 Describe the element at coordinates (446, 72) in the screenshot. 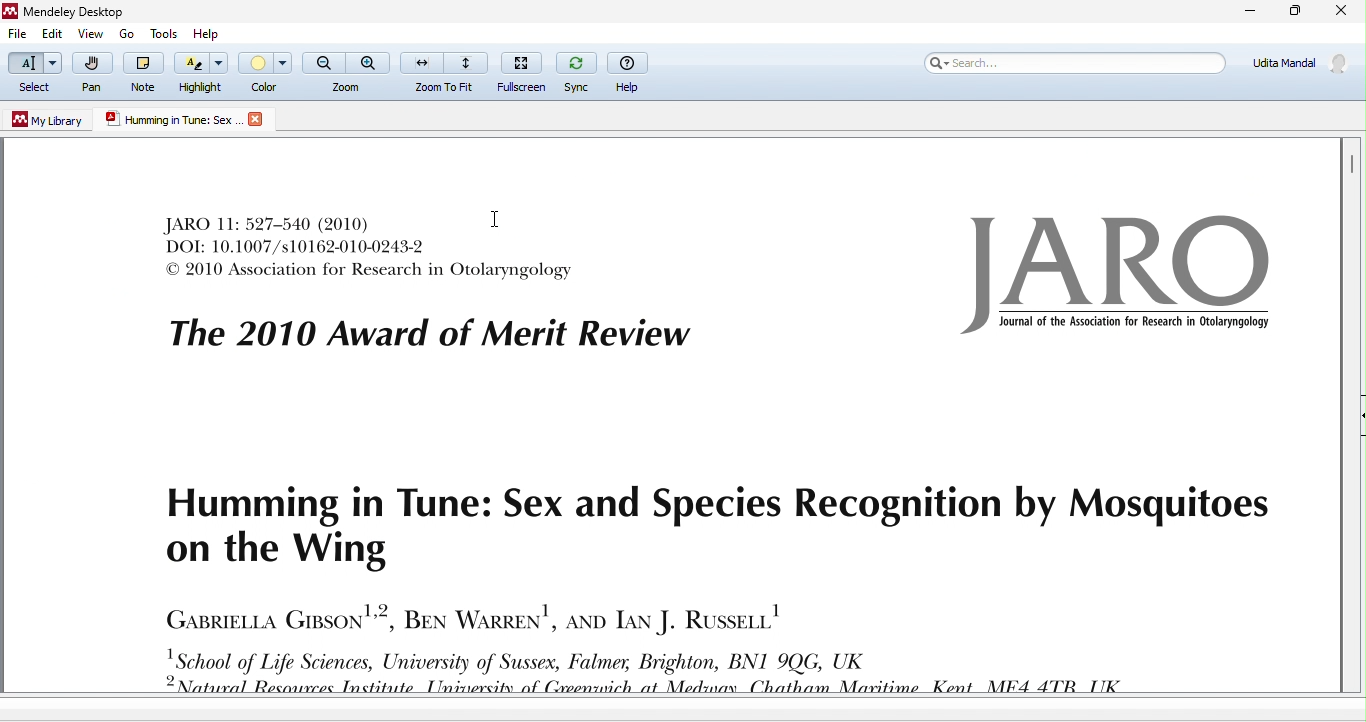

I see `zoom to fit` at that location.